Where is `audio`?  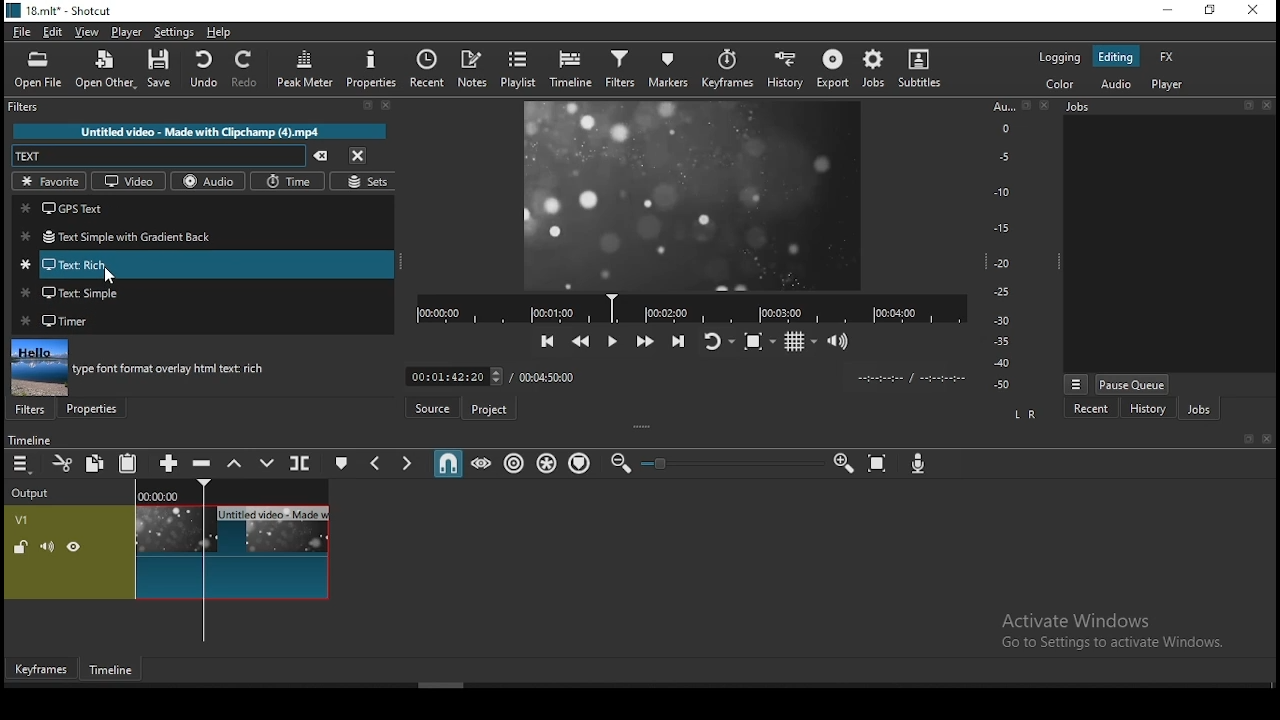 audio is located at coordinates (1115, 85).